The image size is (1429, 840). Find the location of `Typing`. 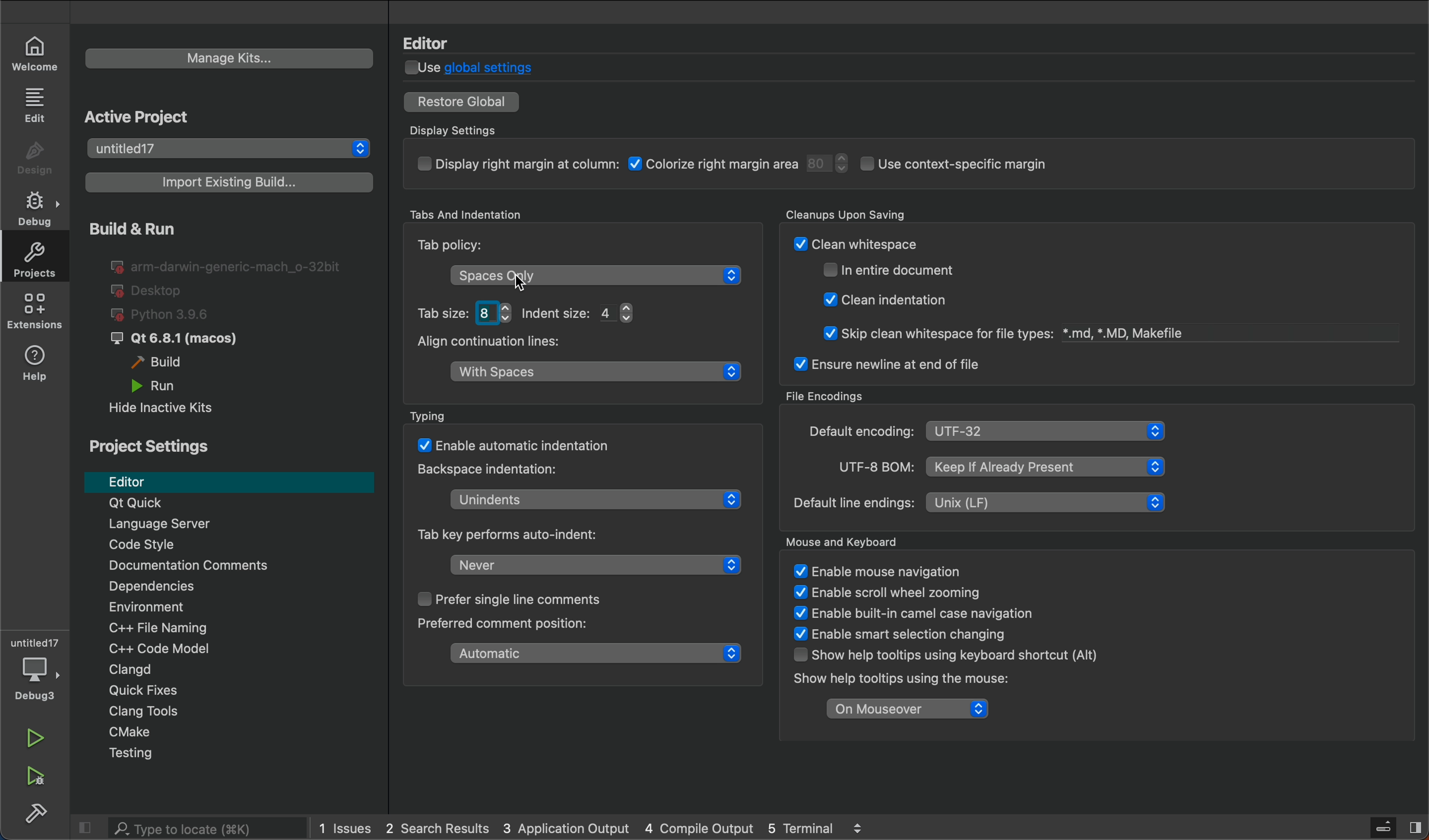

Typing is located at coordinates (437, 416).